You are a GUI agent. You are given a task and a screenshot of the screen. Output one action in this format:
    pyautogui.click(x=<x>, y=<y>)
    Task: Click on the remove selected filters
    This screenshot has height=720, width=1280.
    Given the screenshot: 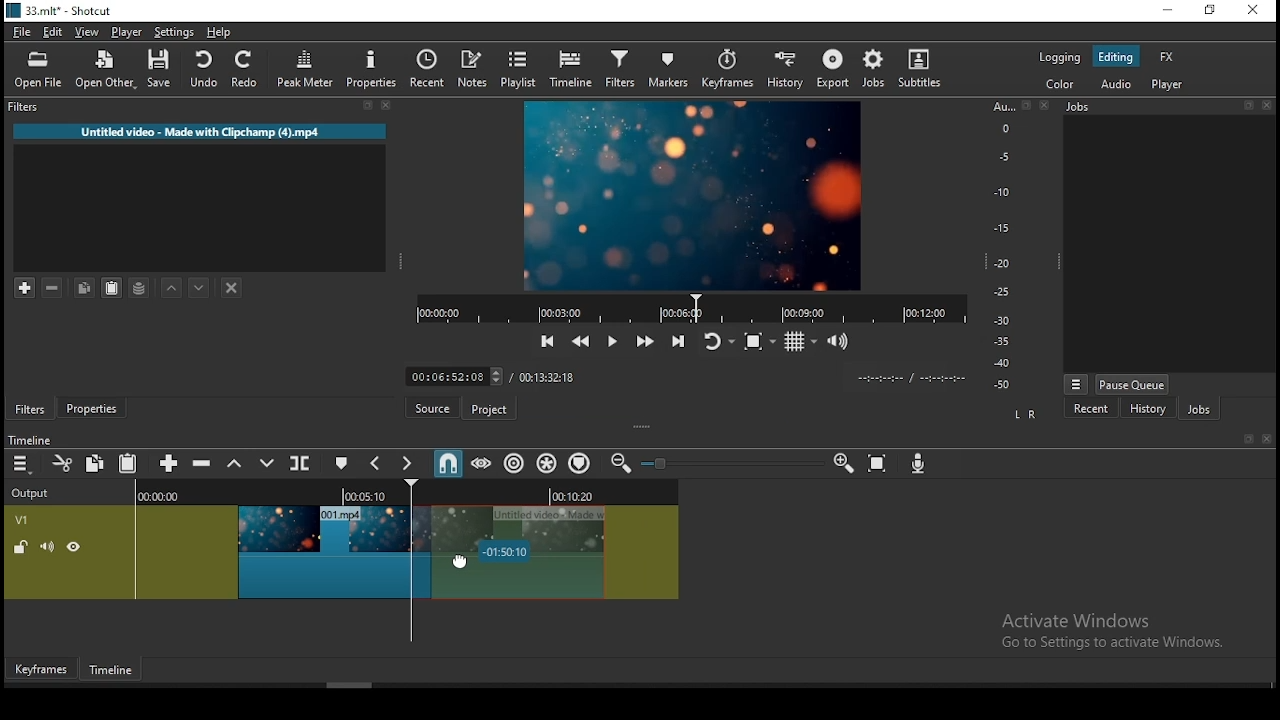 What is the action you would take?
    pyautogui.click(x=58, y=288)
    